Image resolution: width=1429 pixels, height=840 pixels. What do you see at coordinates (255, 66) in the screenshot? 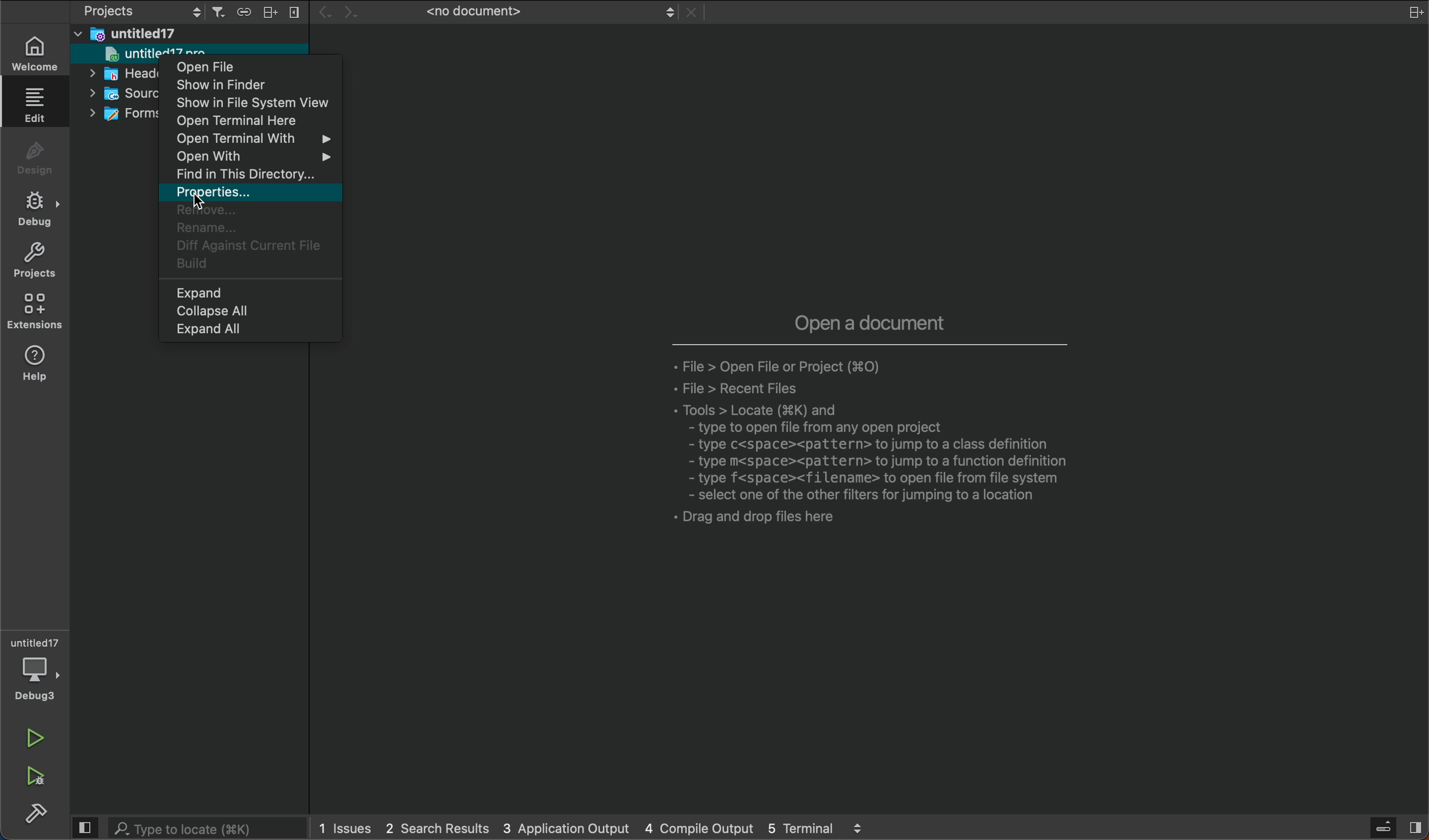
I see `open file` at bounding box center [255, 66].